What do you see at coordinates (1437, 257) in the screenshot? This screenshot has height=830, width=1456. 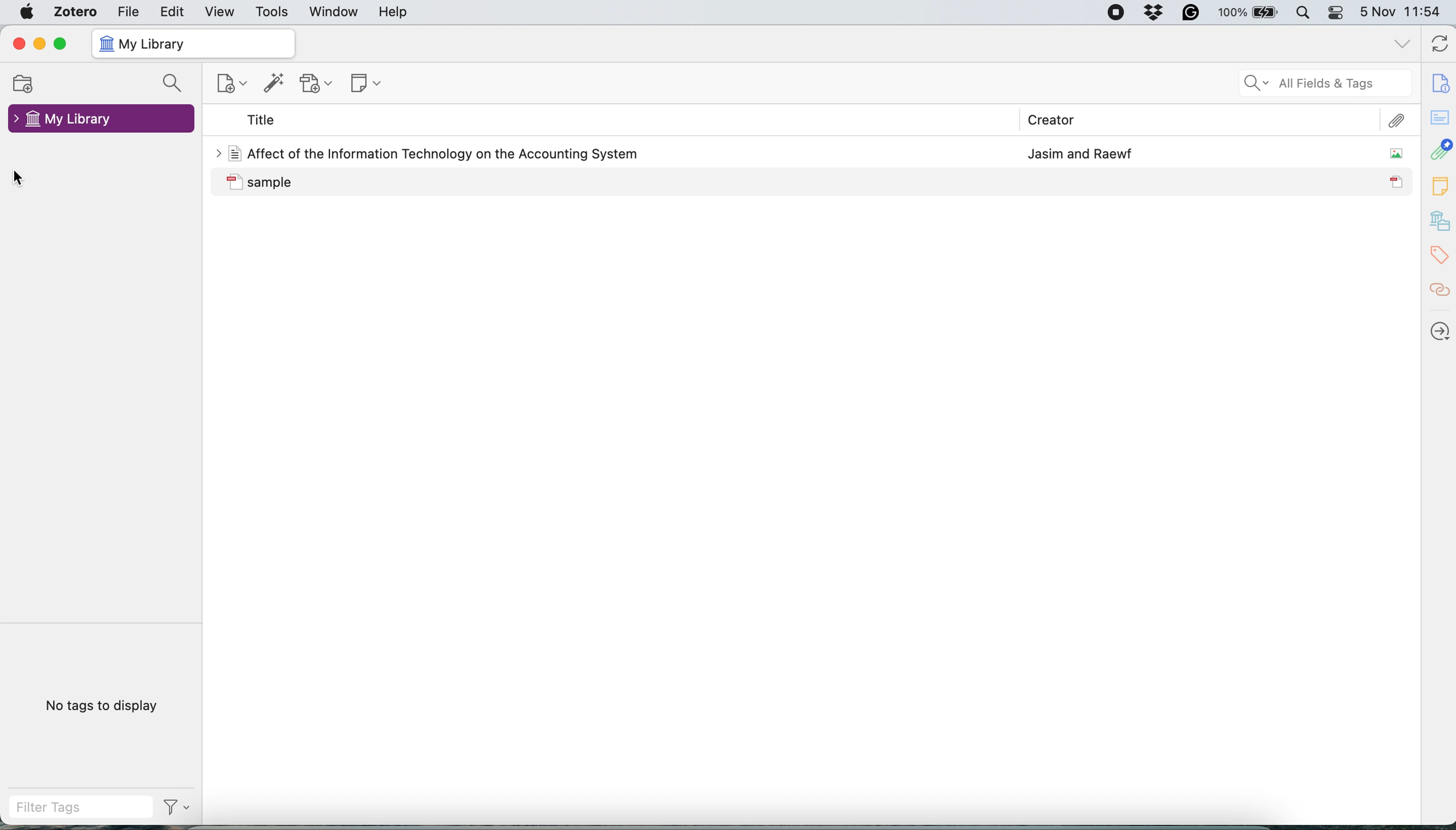 I see `tags` at bounding box center [1437, 257].